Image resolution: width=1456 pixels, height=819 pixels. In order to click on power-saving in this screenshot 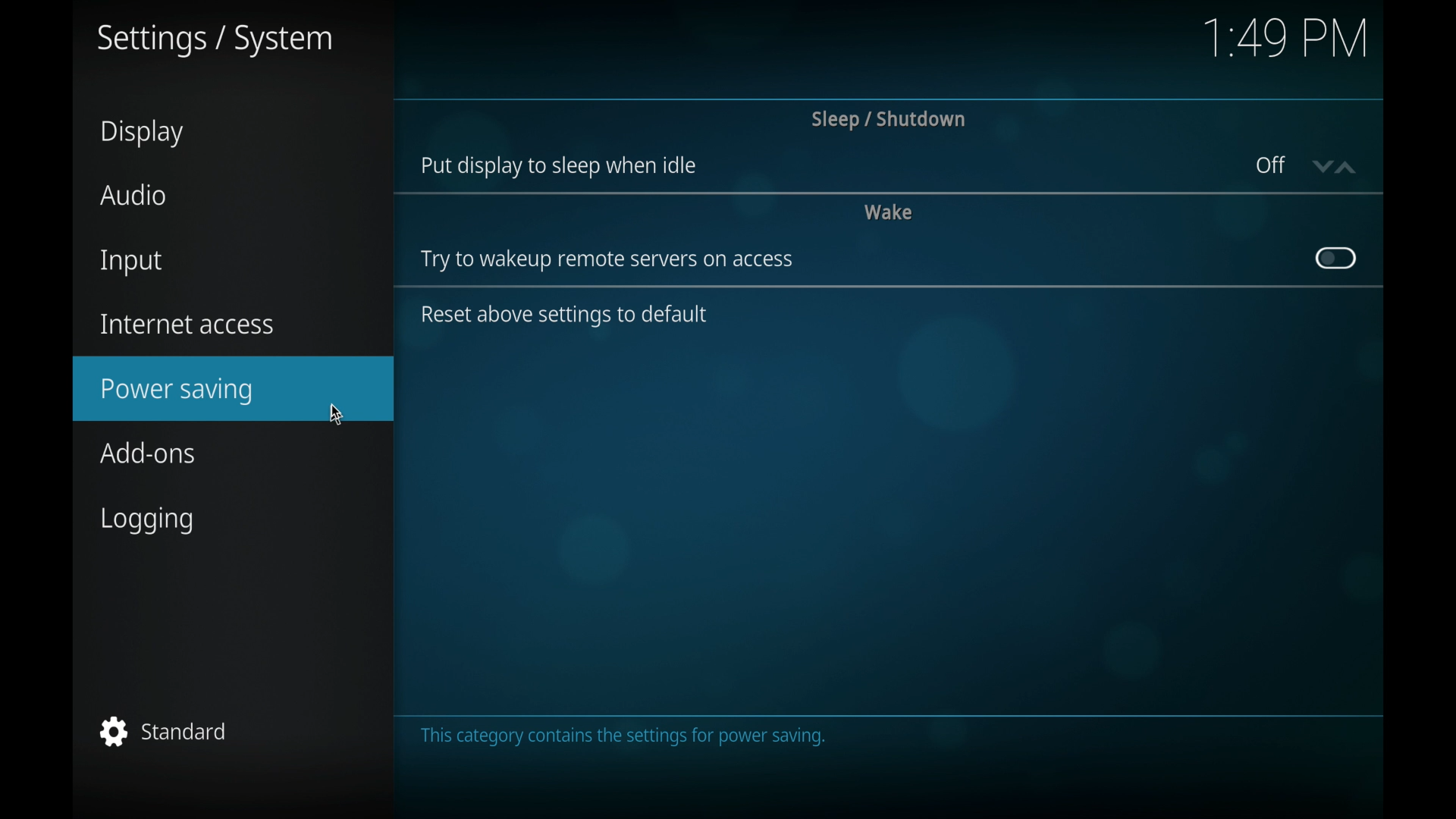, I will do `click(235, 388)`.